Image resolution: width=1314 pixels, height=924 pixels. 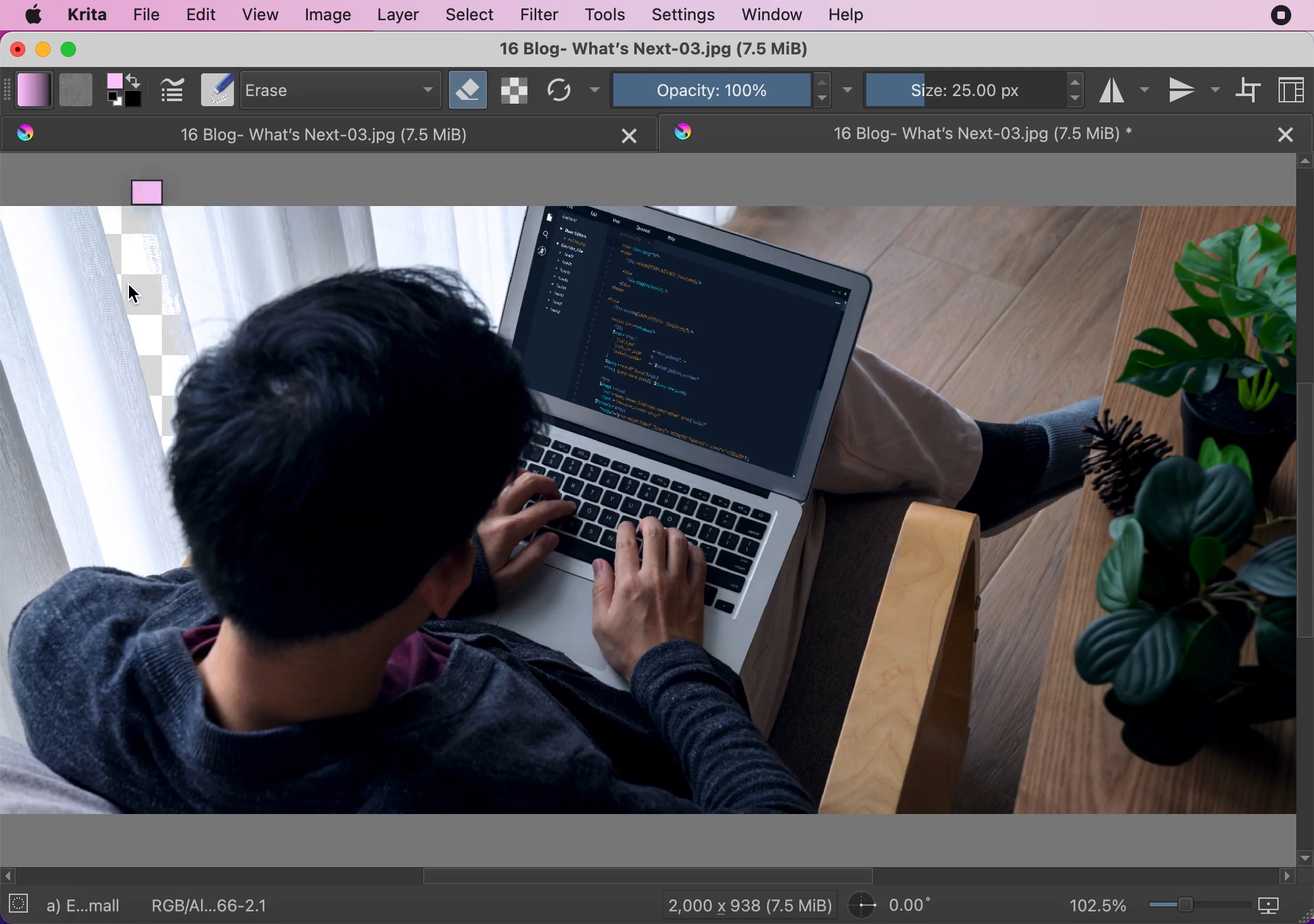 I want to click on edit, so click(x=204, y=15).